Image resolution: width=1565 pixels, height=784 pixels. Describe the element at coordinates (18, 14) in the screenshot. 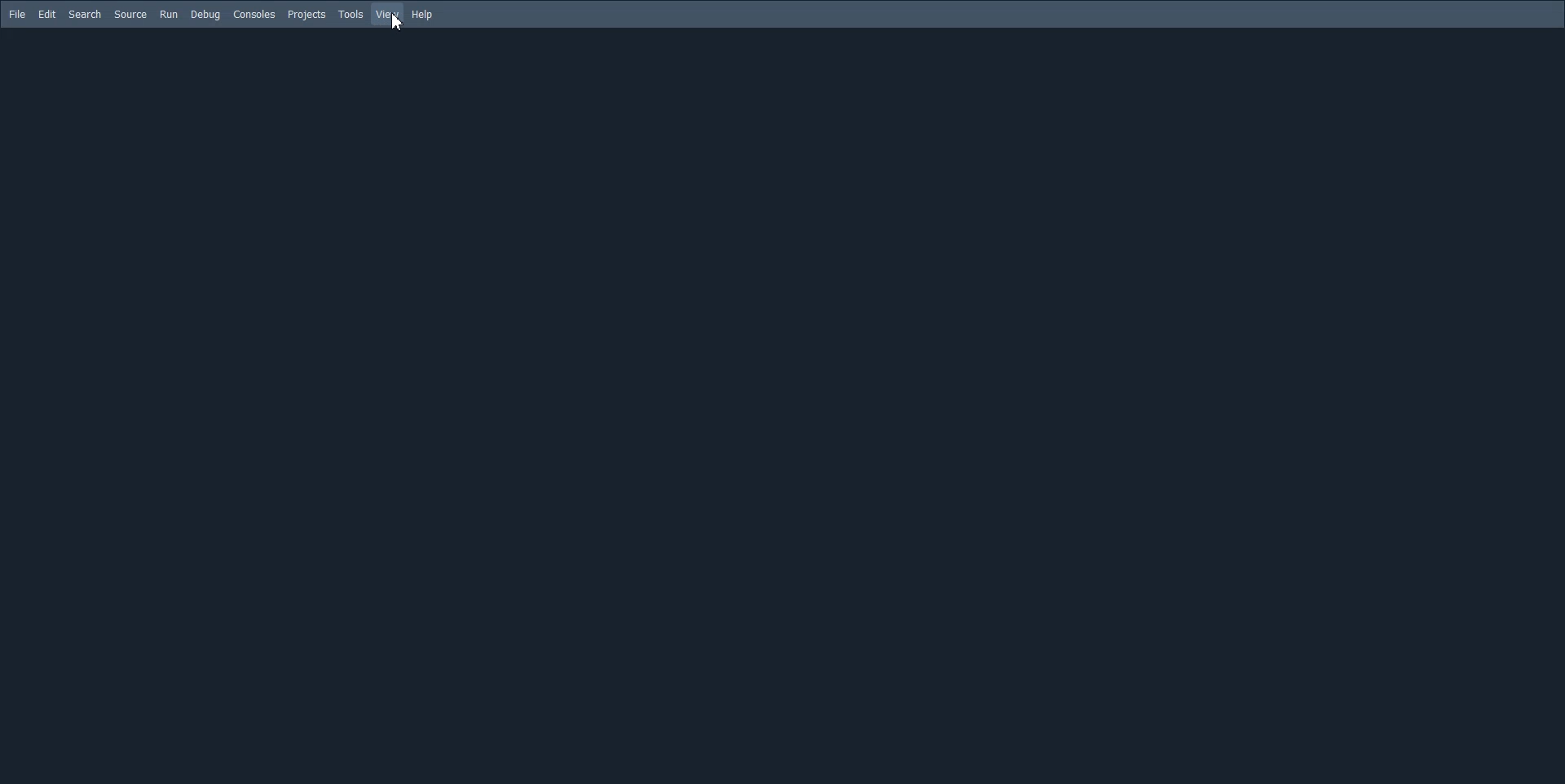

I see `File` at that location.